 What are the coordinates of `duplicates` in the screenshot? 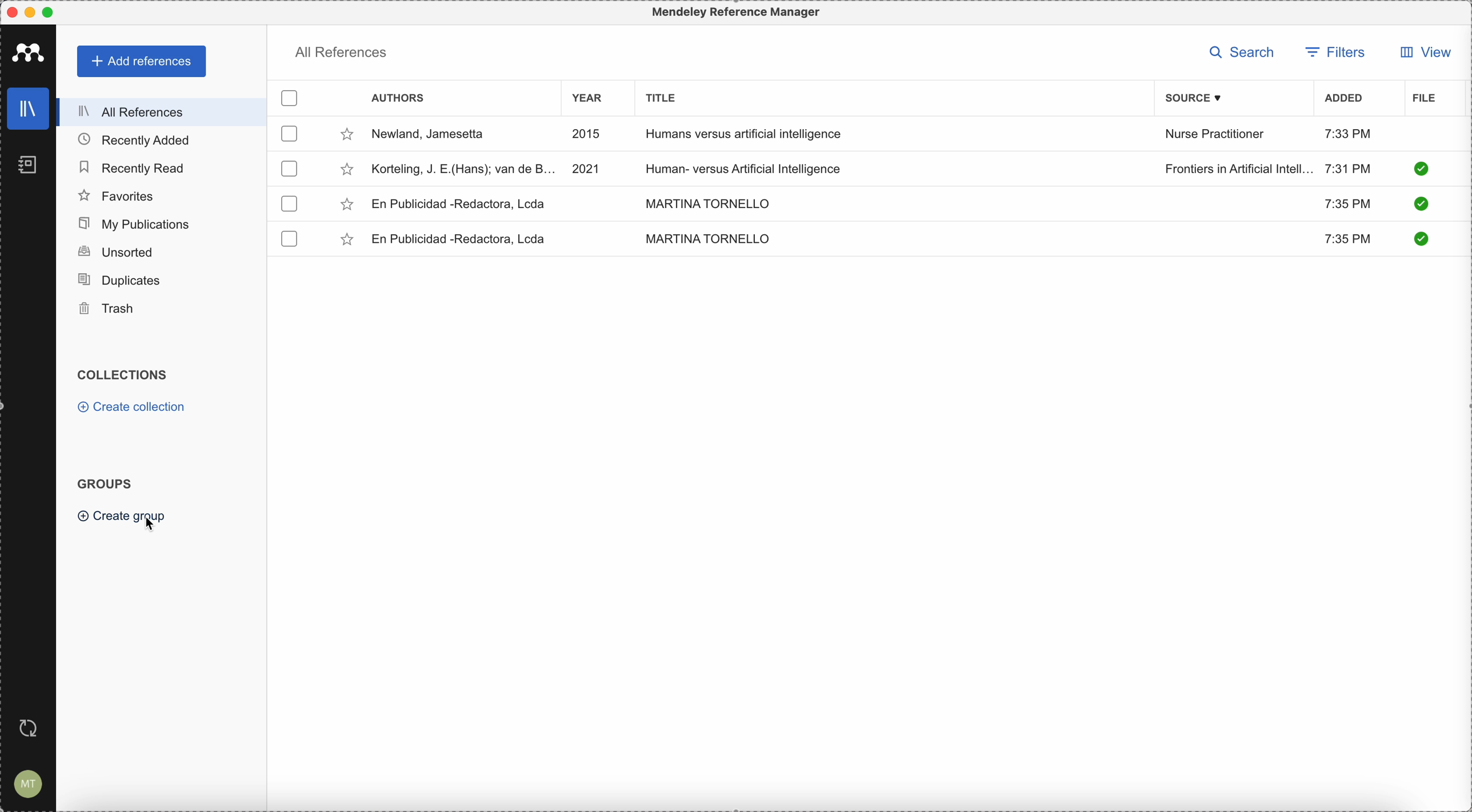 It's located at (119, 281).